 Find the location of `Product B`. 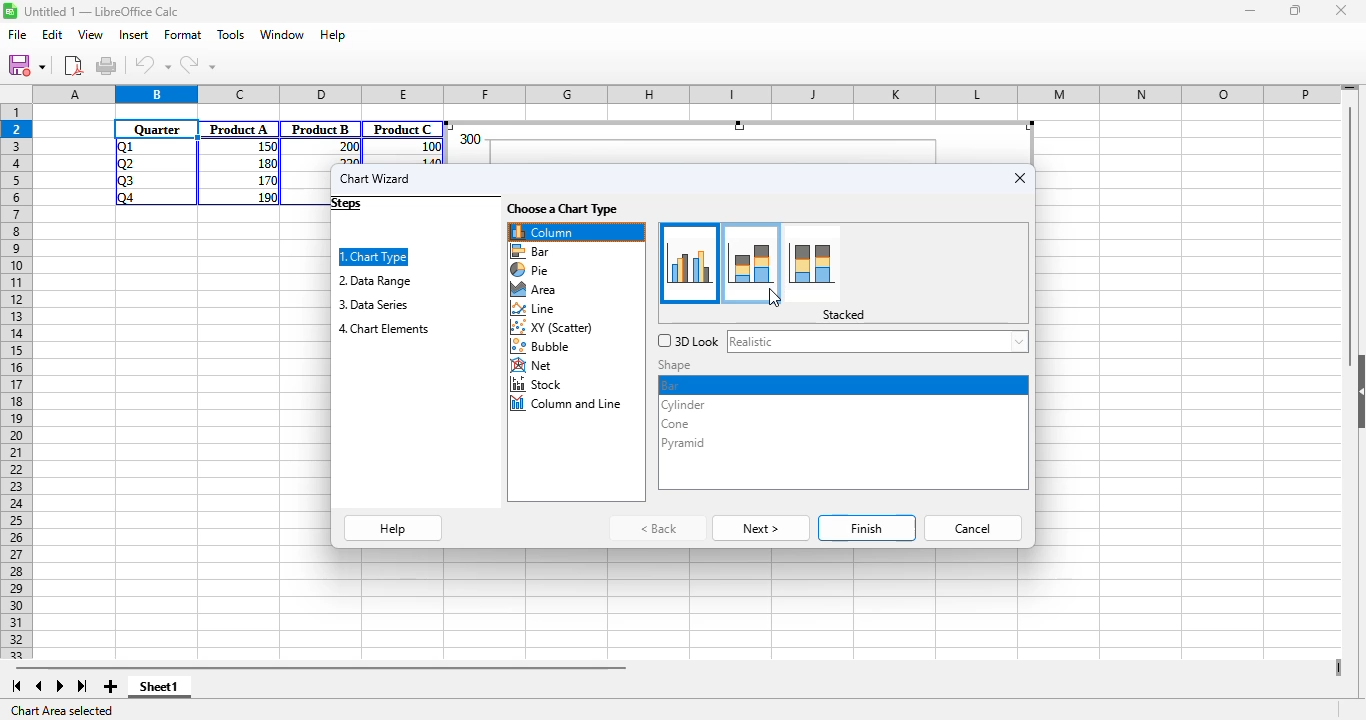

Product B is located at coordinates (321, 129).